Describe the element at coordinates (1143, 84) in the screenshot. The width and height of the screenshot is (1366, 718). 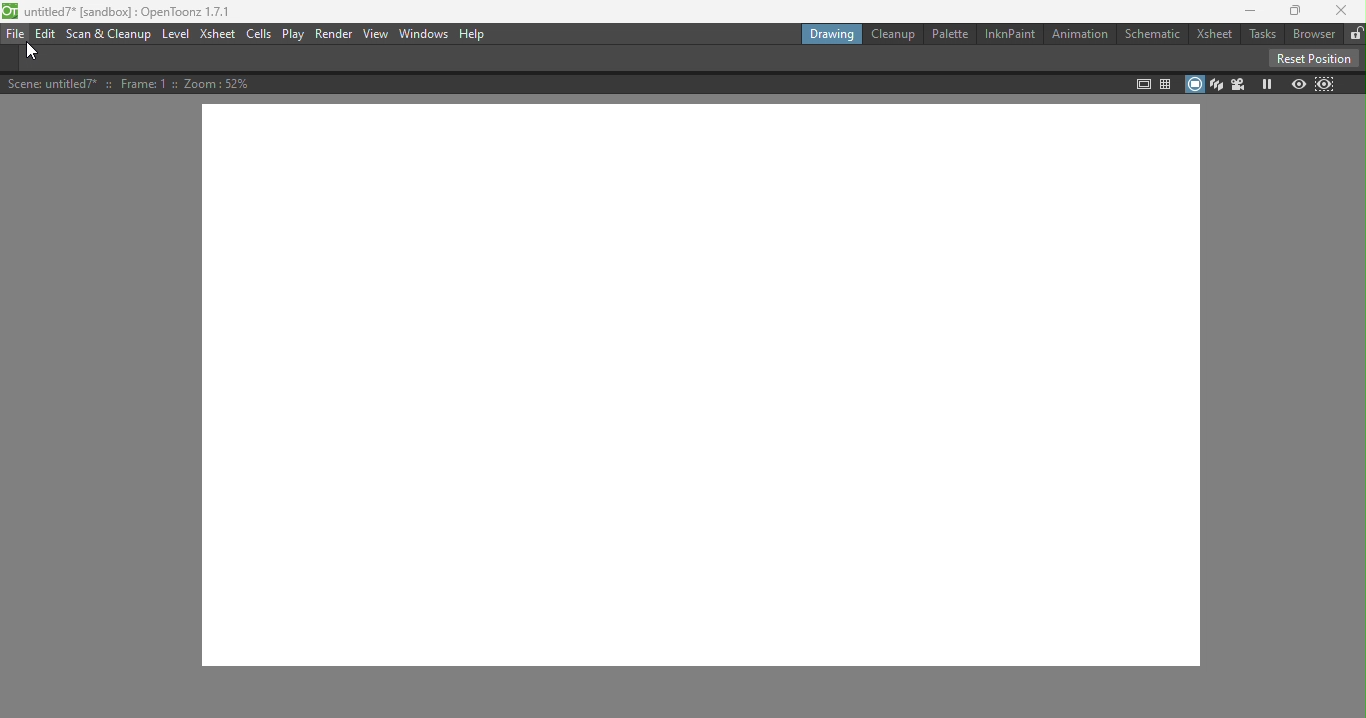
I see `Safe area` at that location.